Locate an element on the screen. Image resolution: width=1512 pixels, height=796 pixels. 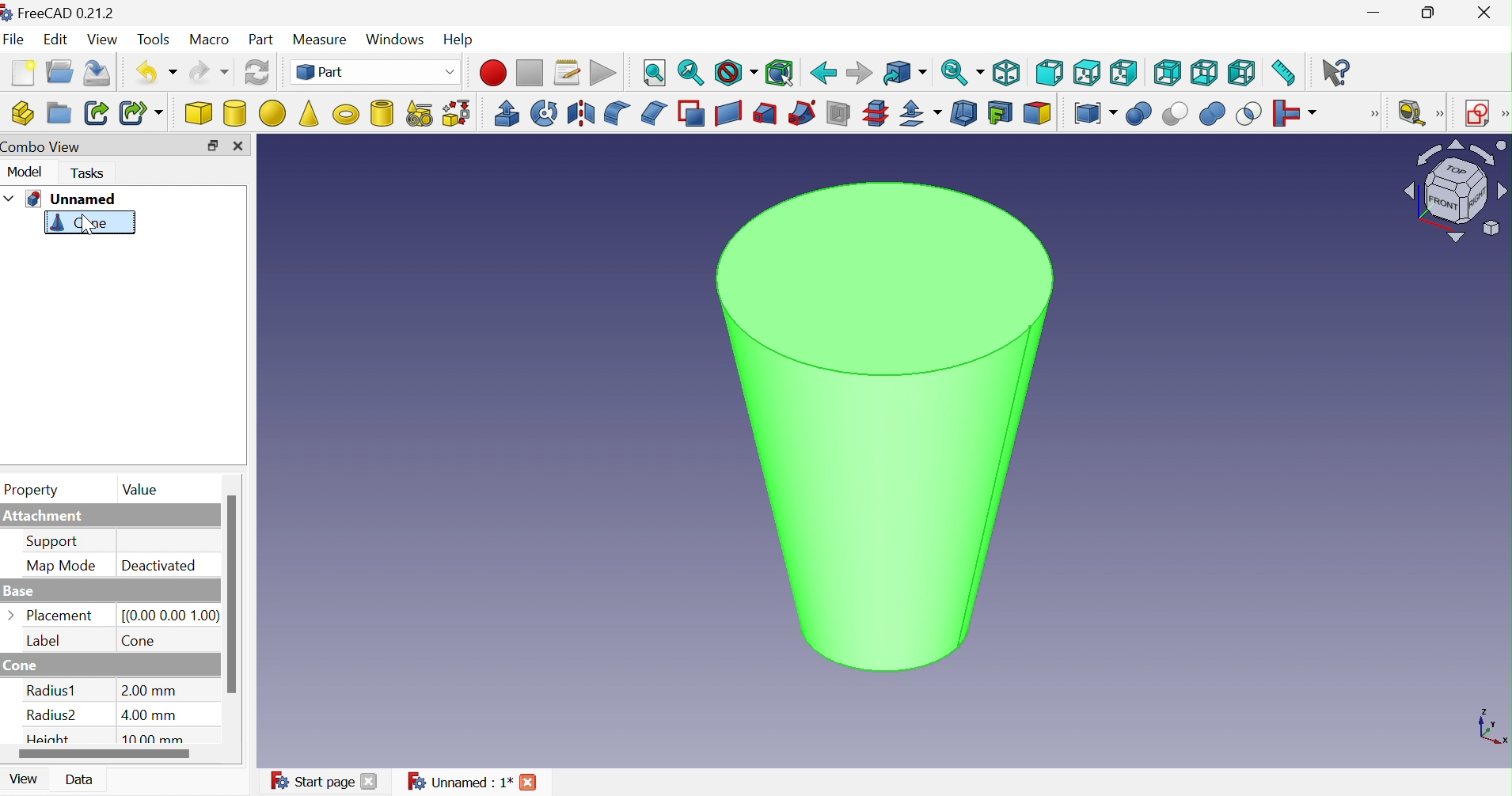
Join objects is located at coordinates (1298, 115).